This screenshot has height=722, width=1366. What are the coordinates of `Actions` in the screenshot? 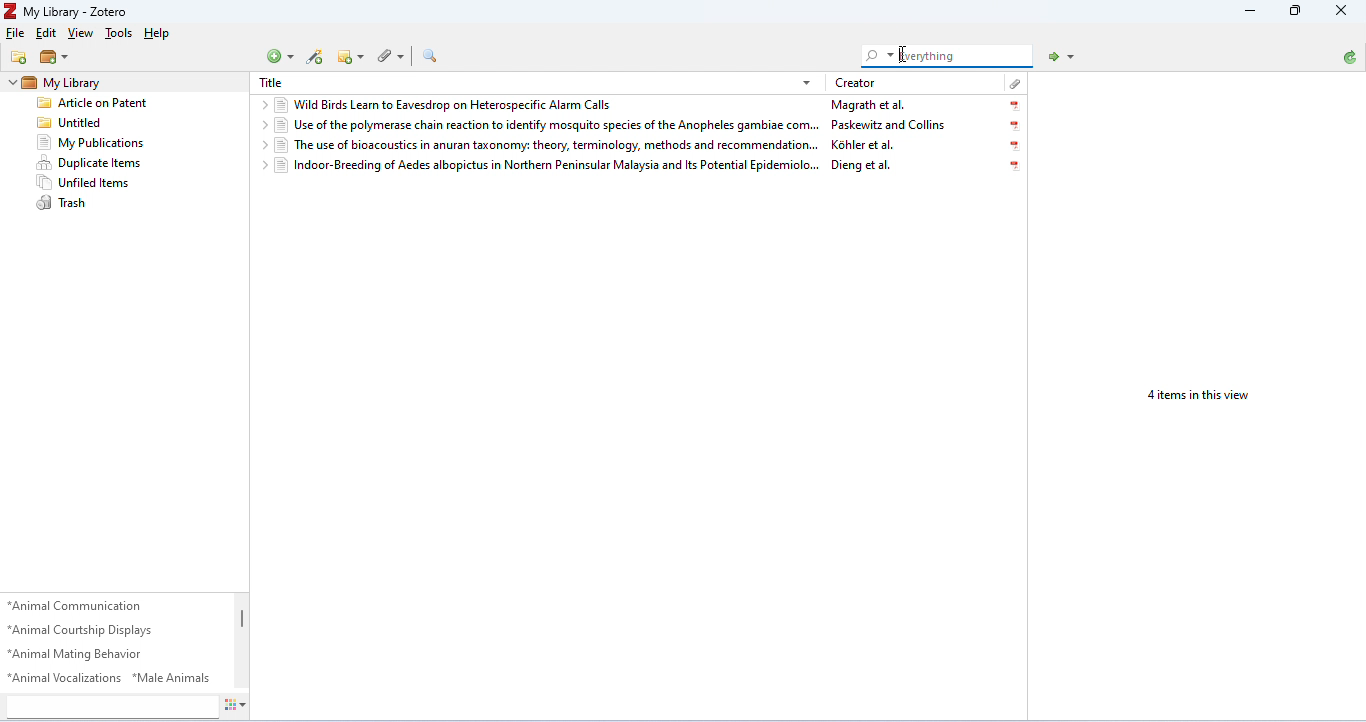 It's located at (236, 707).